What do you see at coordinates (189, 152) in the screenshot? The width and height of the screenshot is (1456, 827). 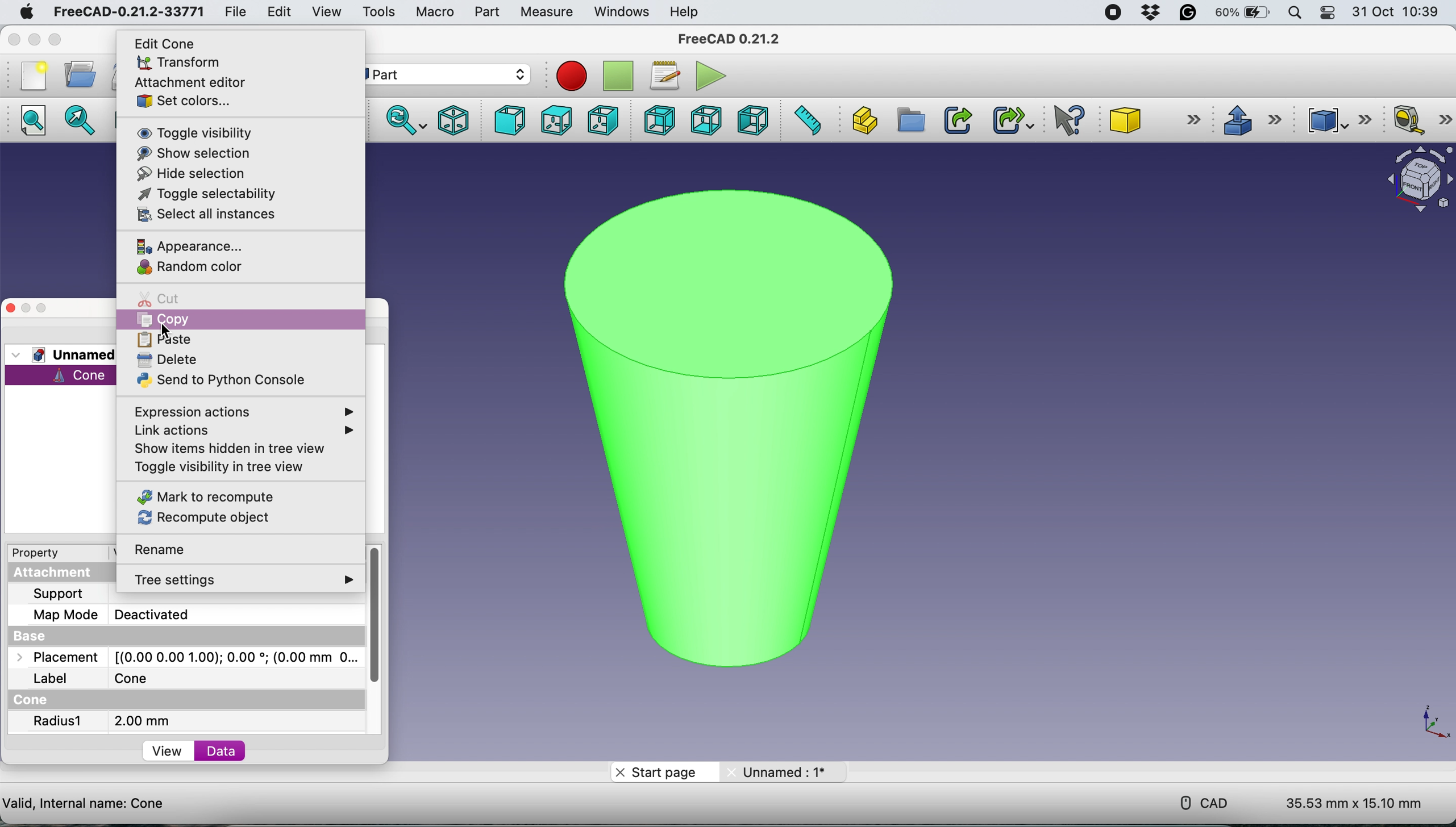 I see `show selection` at bounding box center [189, 152].